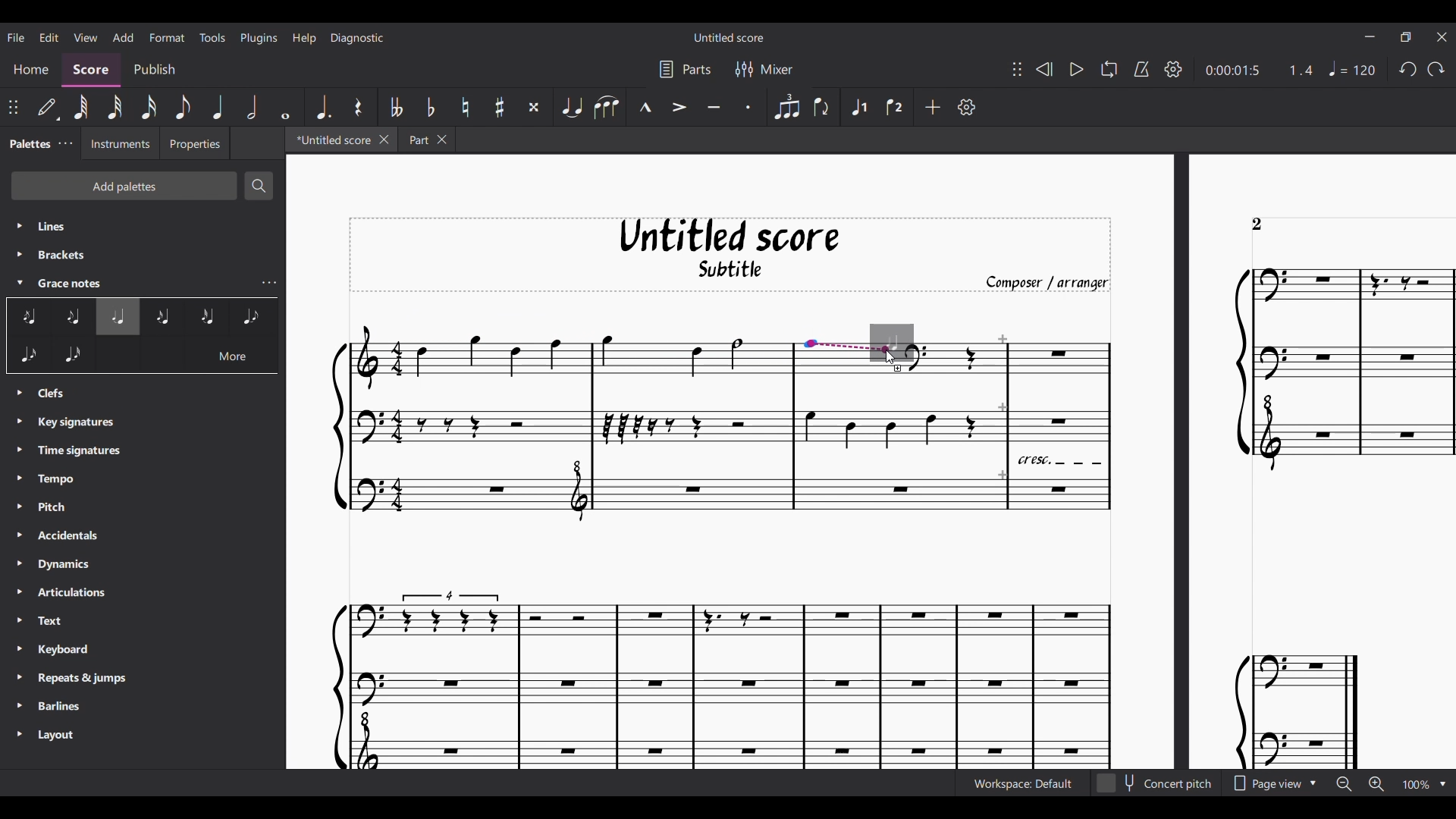 The width and height of the screenshot is (1456, 819). I want to click on Palette list, so click(149, 570).